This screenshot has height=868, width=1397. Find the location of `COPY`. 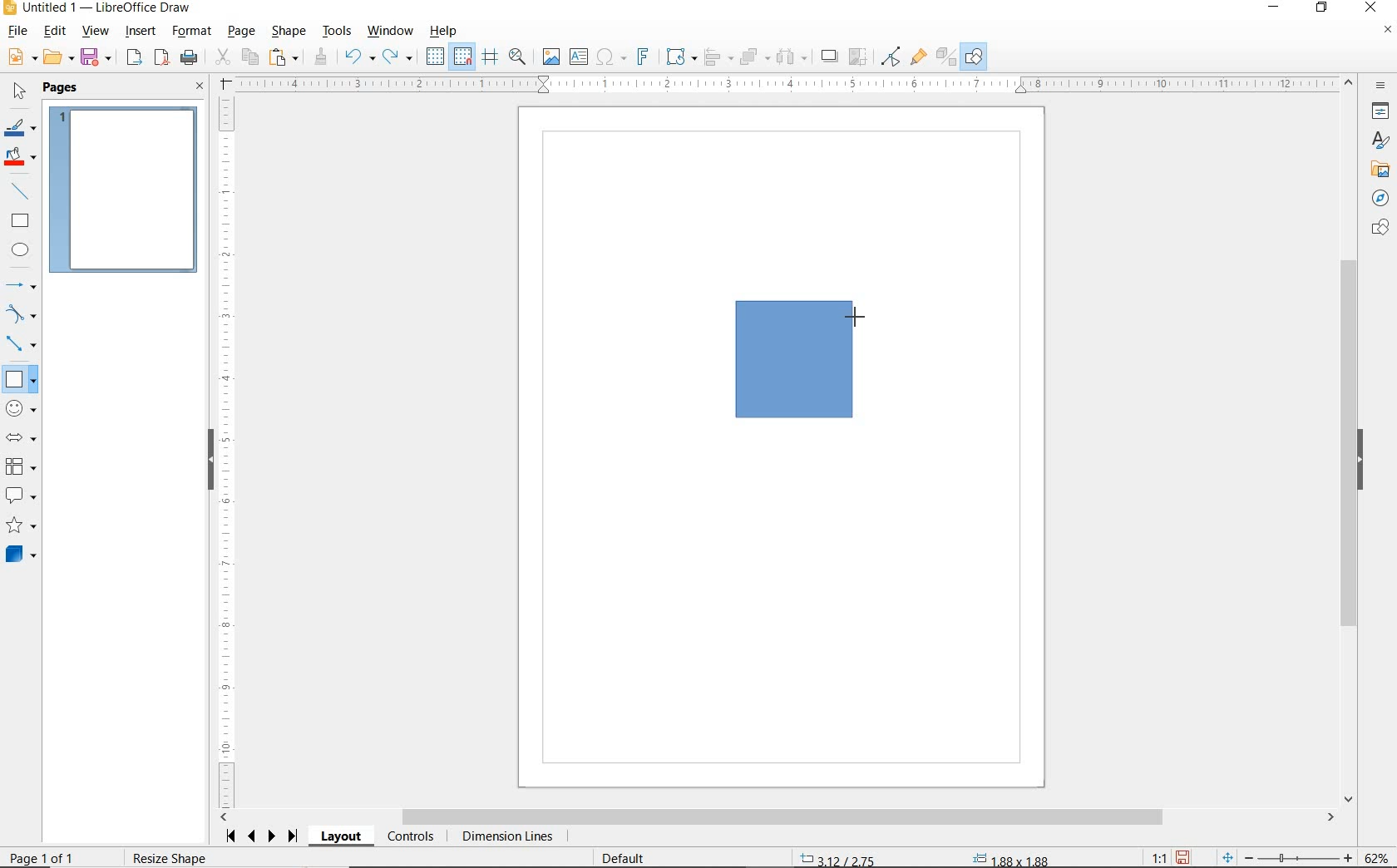

COPY is located at coordinates (249, 57).